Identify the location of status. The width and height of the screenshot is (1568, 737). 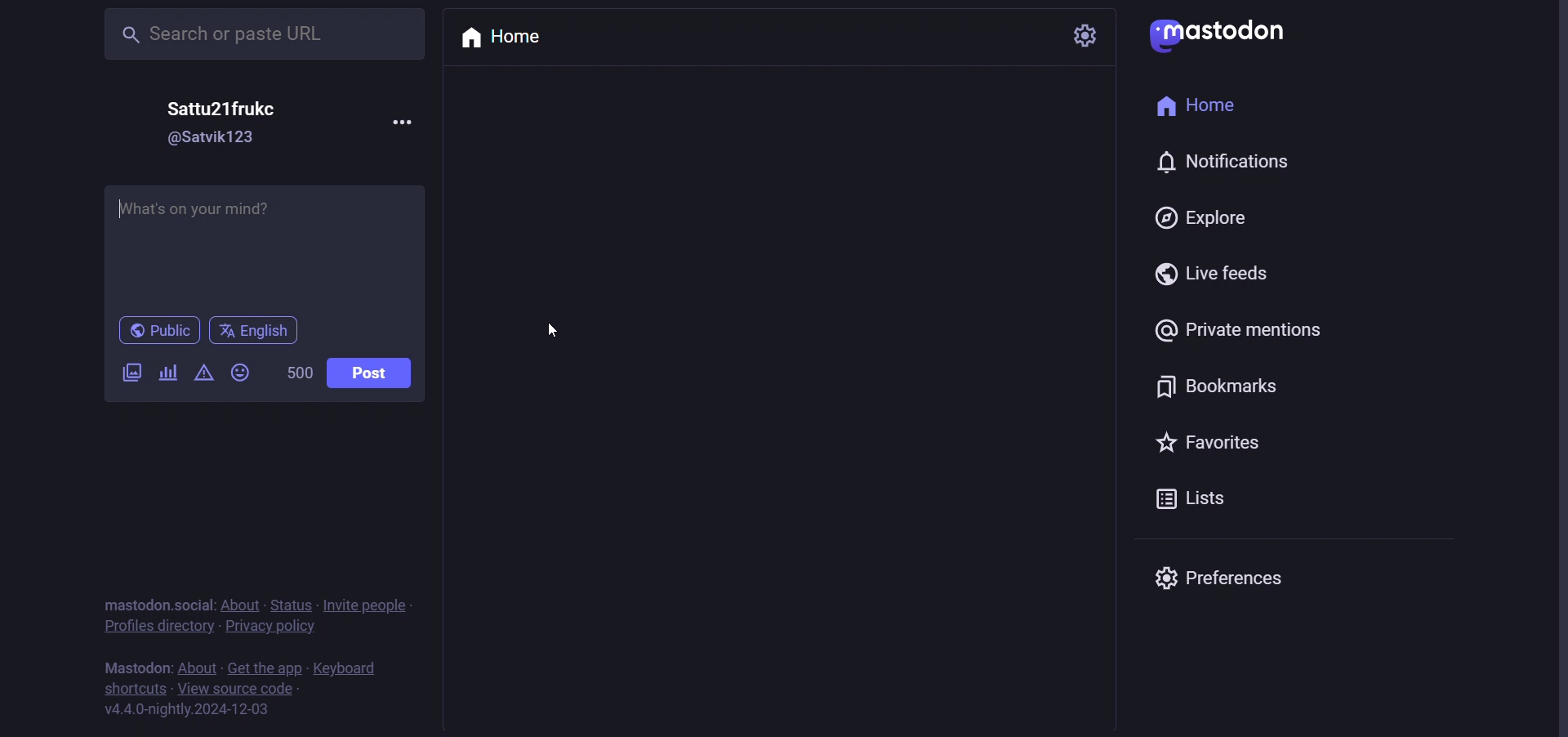
(290, 603).